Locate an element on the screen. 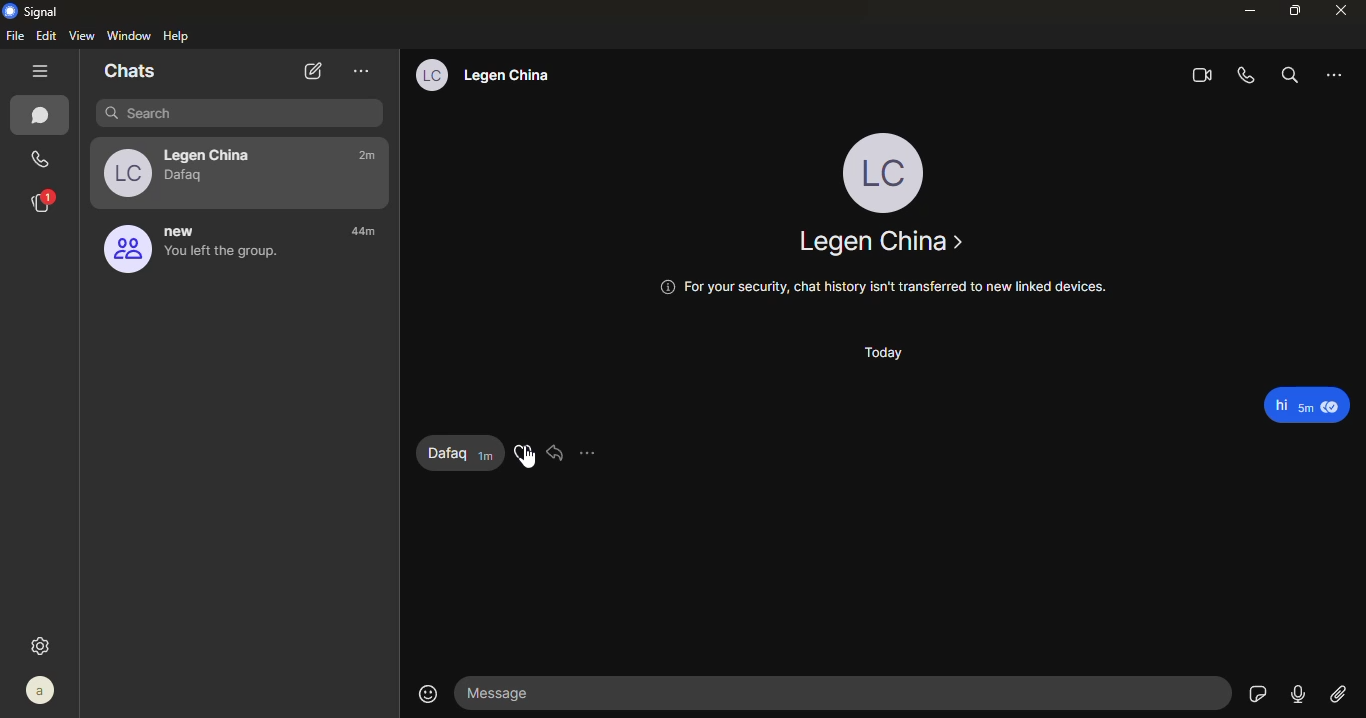  record is located at coordinates (1297, 692).